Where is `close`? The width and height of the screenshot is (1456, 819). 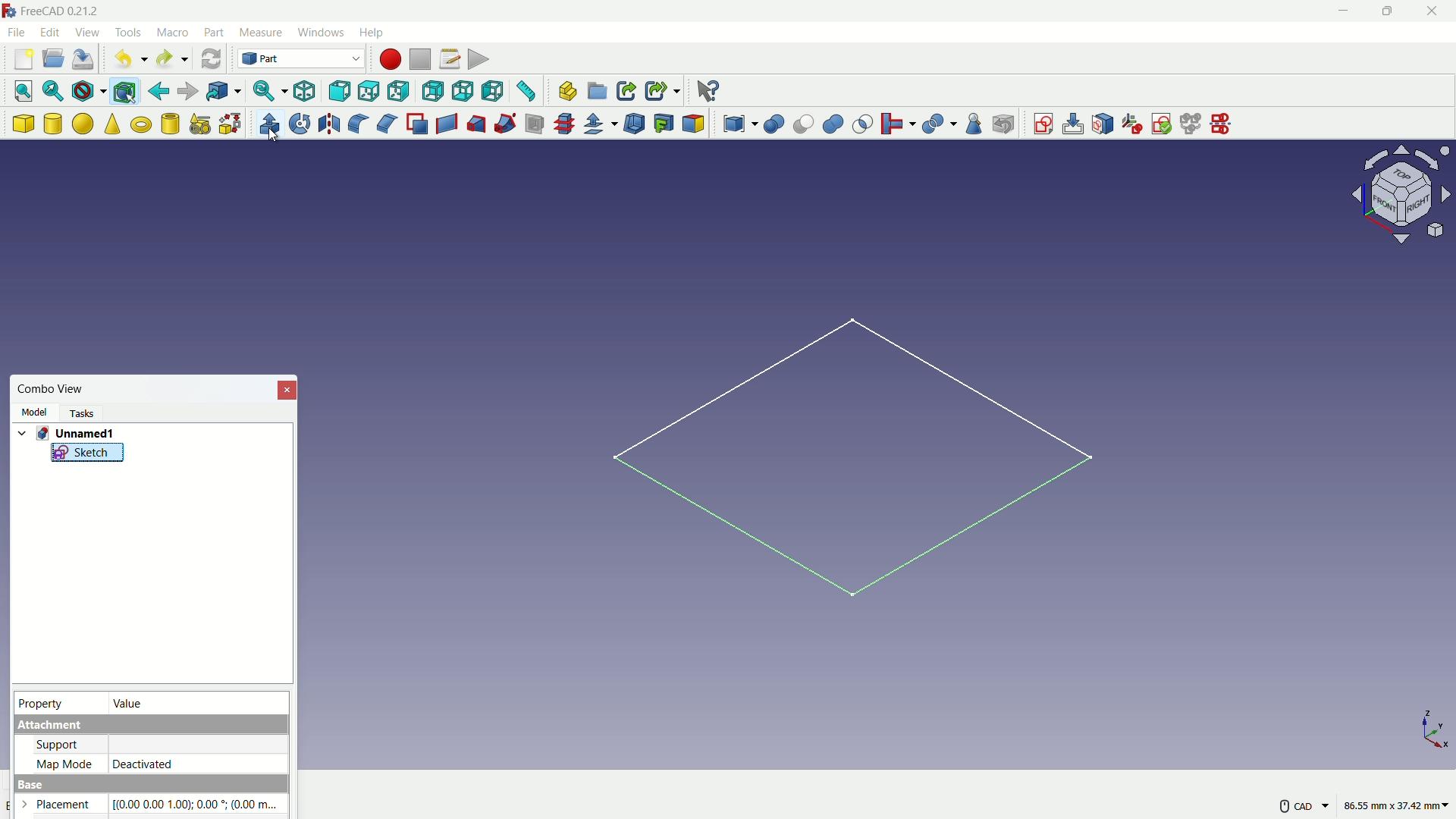
close is located at coordinates (1434, 13).